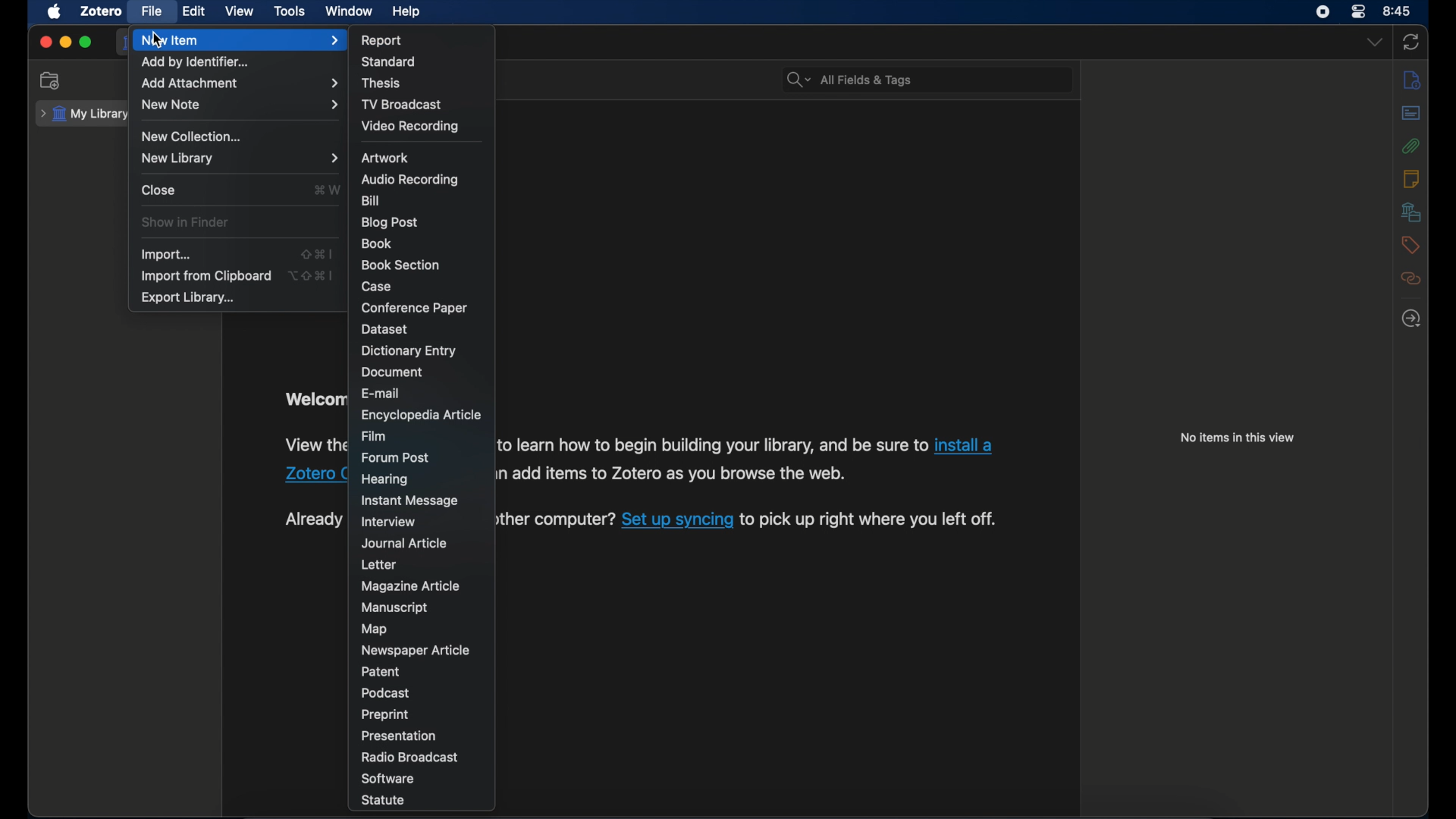  What do you see at coordinates (420, 416) in the screenshot?
I see `encyclopedia article` at bounding box center [420, 416].